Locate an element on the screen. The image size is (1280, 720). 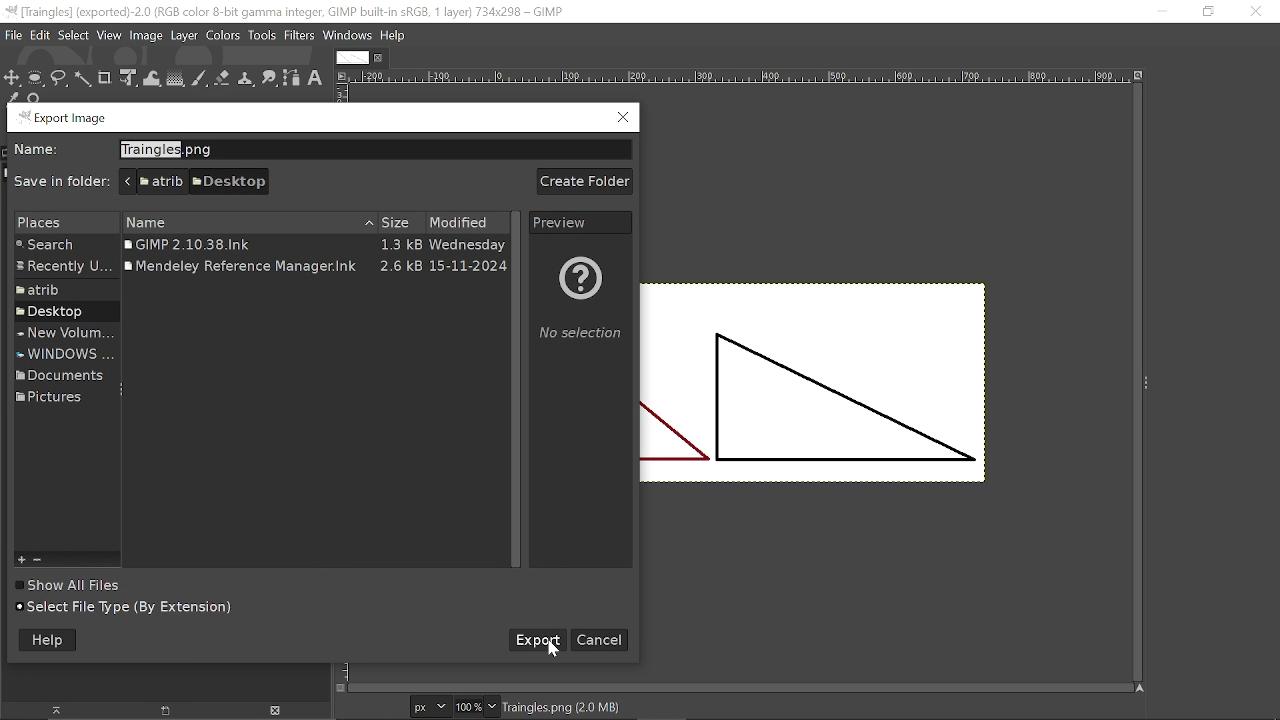
Minimize is located at coordinates (1159, 12).